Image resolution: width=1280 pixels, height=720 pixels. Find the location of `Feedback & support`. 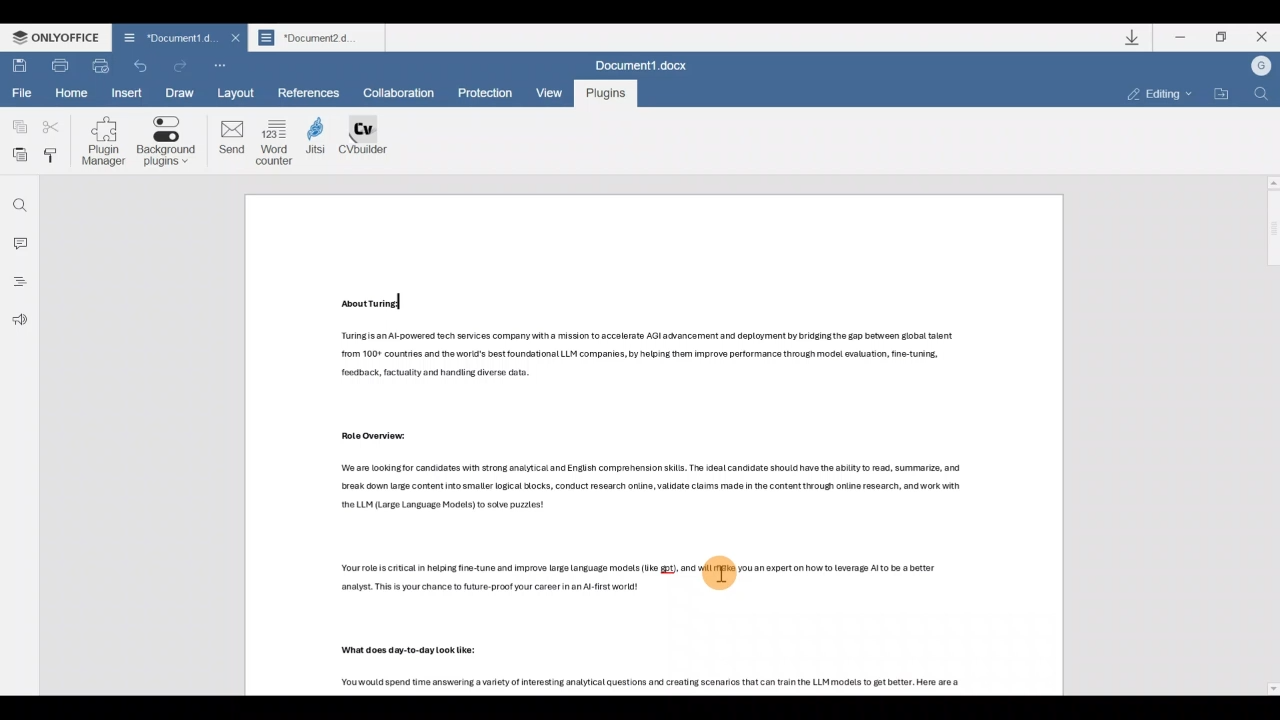

Feedback & support is located at coordinates (18, 323).